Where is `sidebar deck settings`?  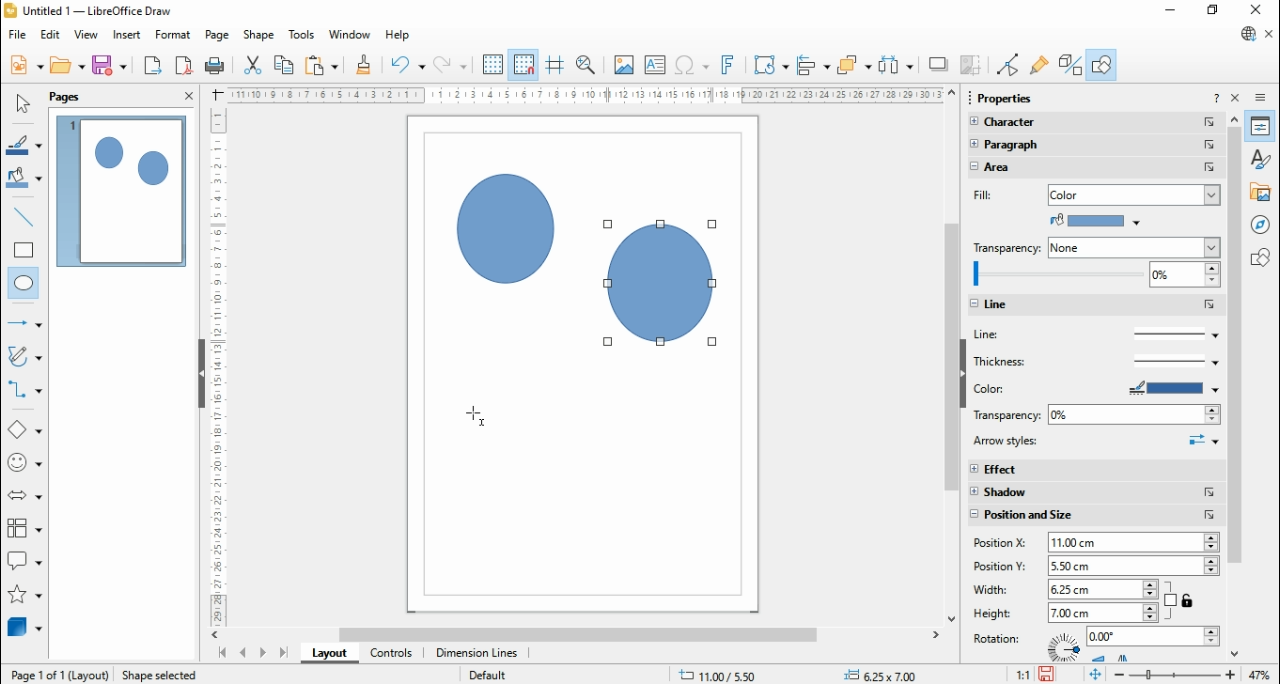 sidebar deck settings is located at coordinates (1262, 98).